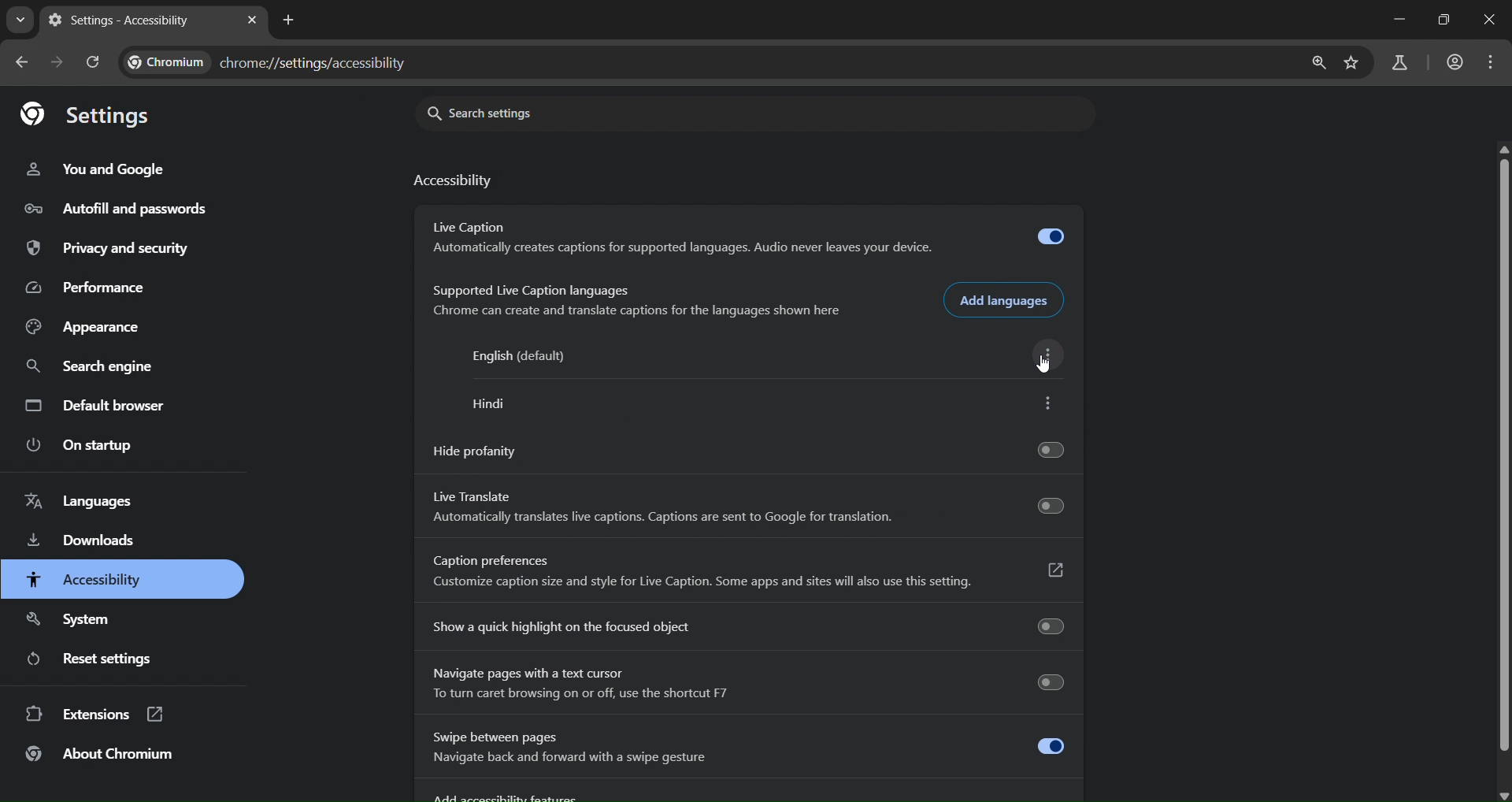  Describe the element at coordinates (110, 249) in the screenshot. I see `privacy and security` at that location.